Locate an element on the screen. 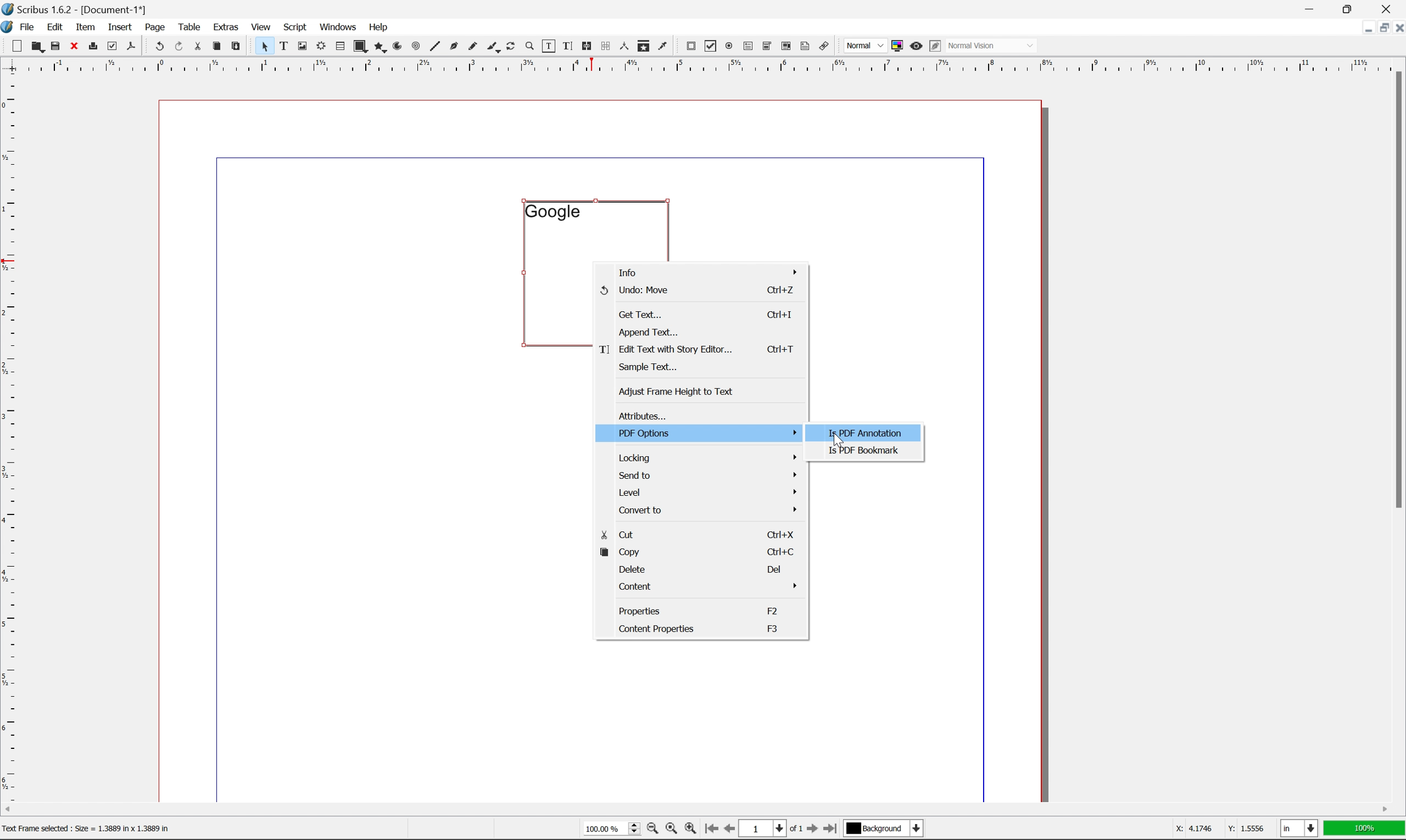 The width and height of the screenshot is (1406, 840). close is located at coordinates (1397, 27).